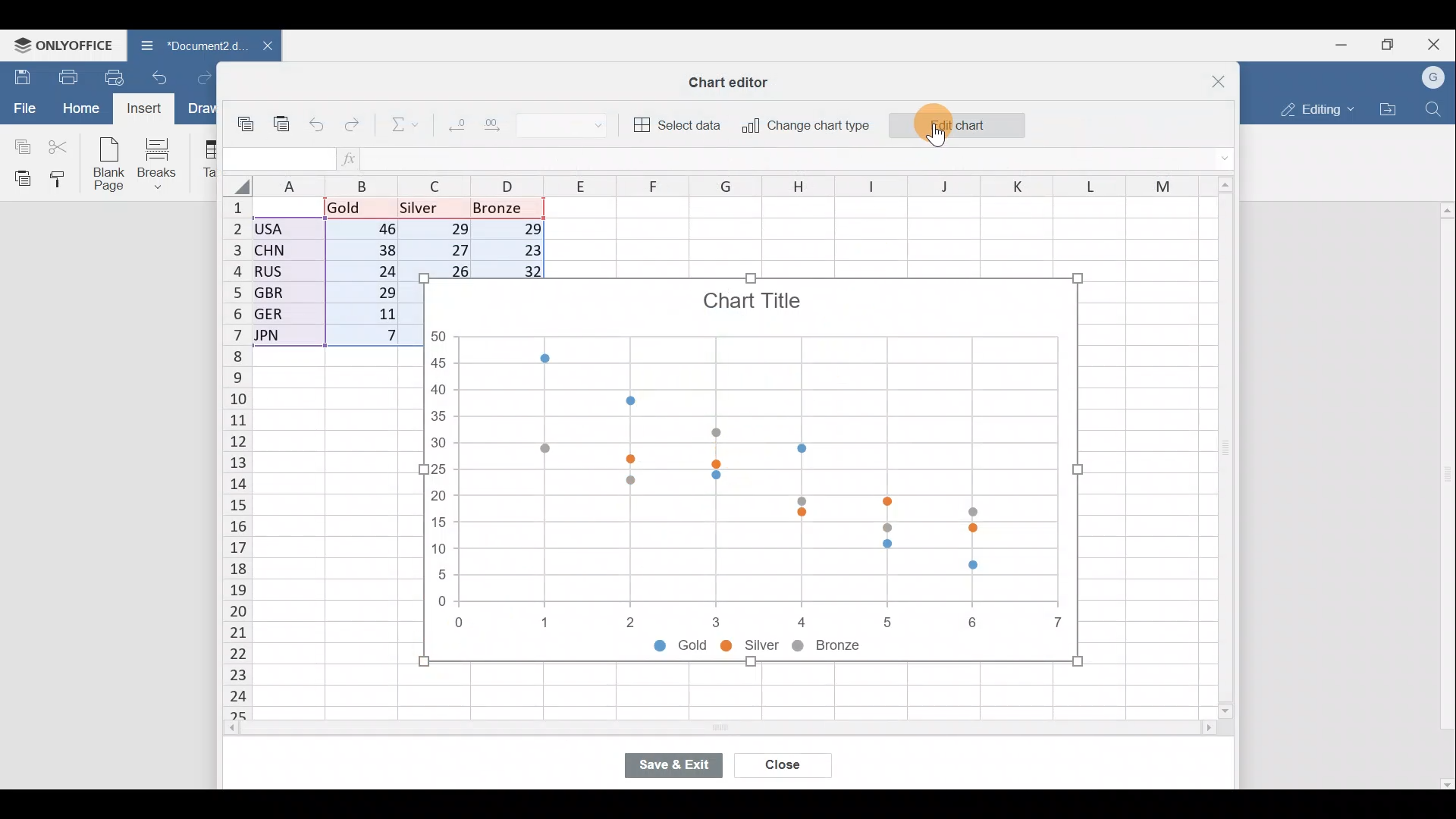  I want to click on Paste, so click(281, 117).